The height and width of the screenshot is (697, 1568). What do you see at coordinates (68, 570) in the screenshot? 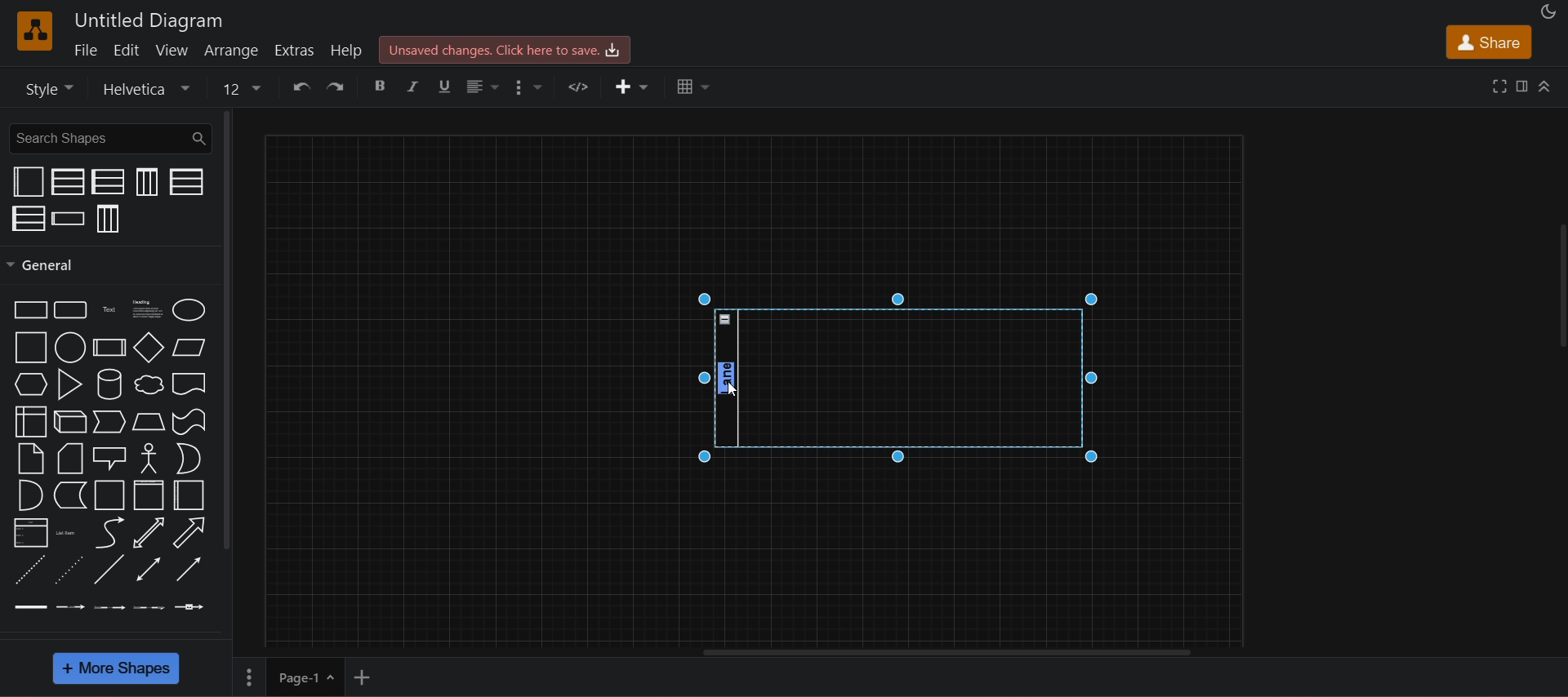
I see `dotted line` at bounding box center [68, 570].